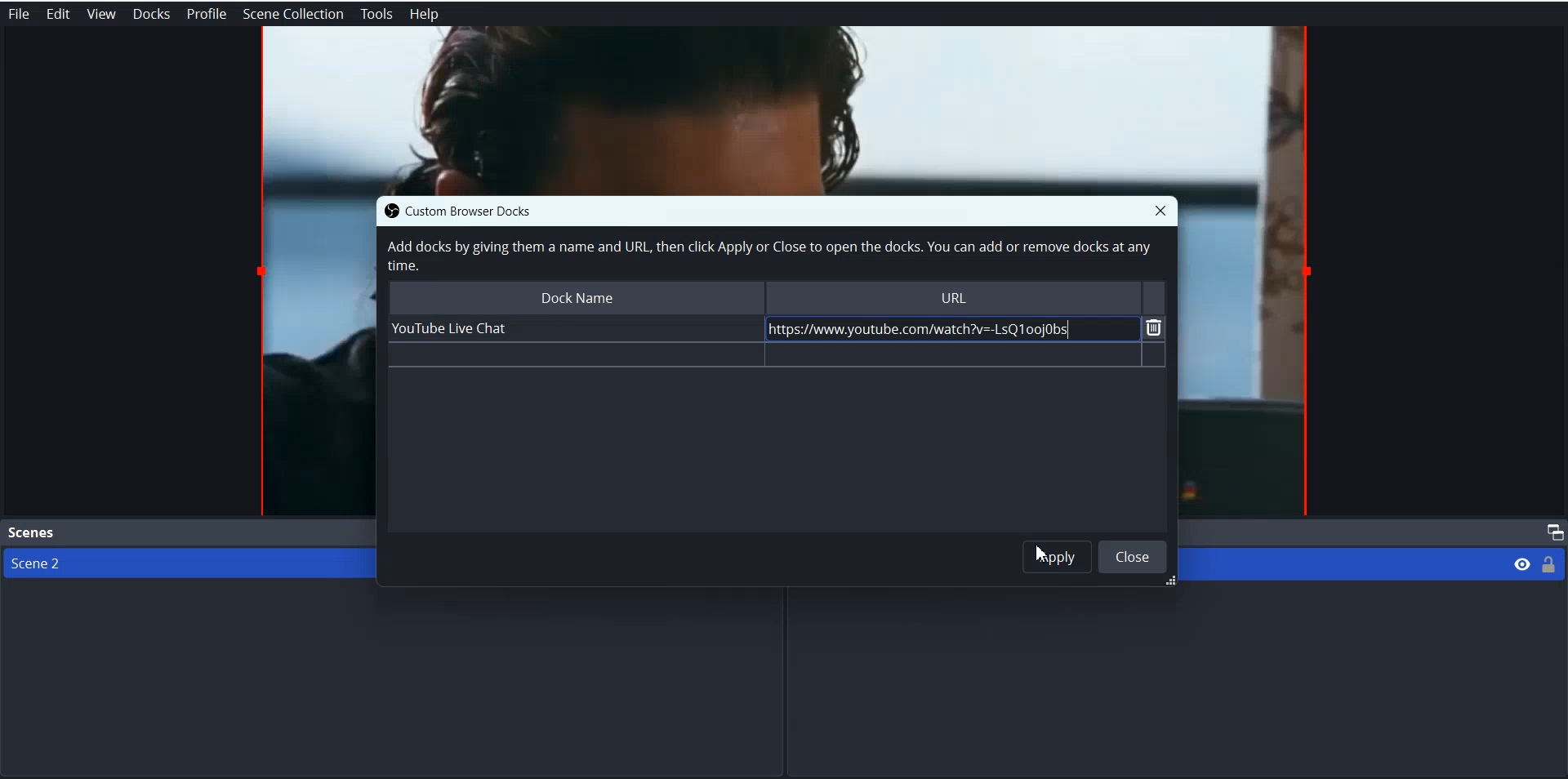 The width and height of the screenshot is (1568, 779). What do you see at coordinates (1167, 582) in the screenshot?
I see `resize` at bounding box center [1167, 582].